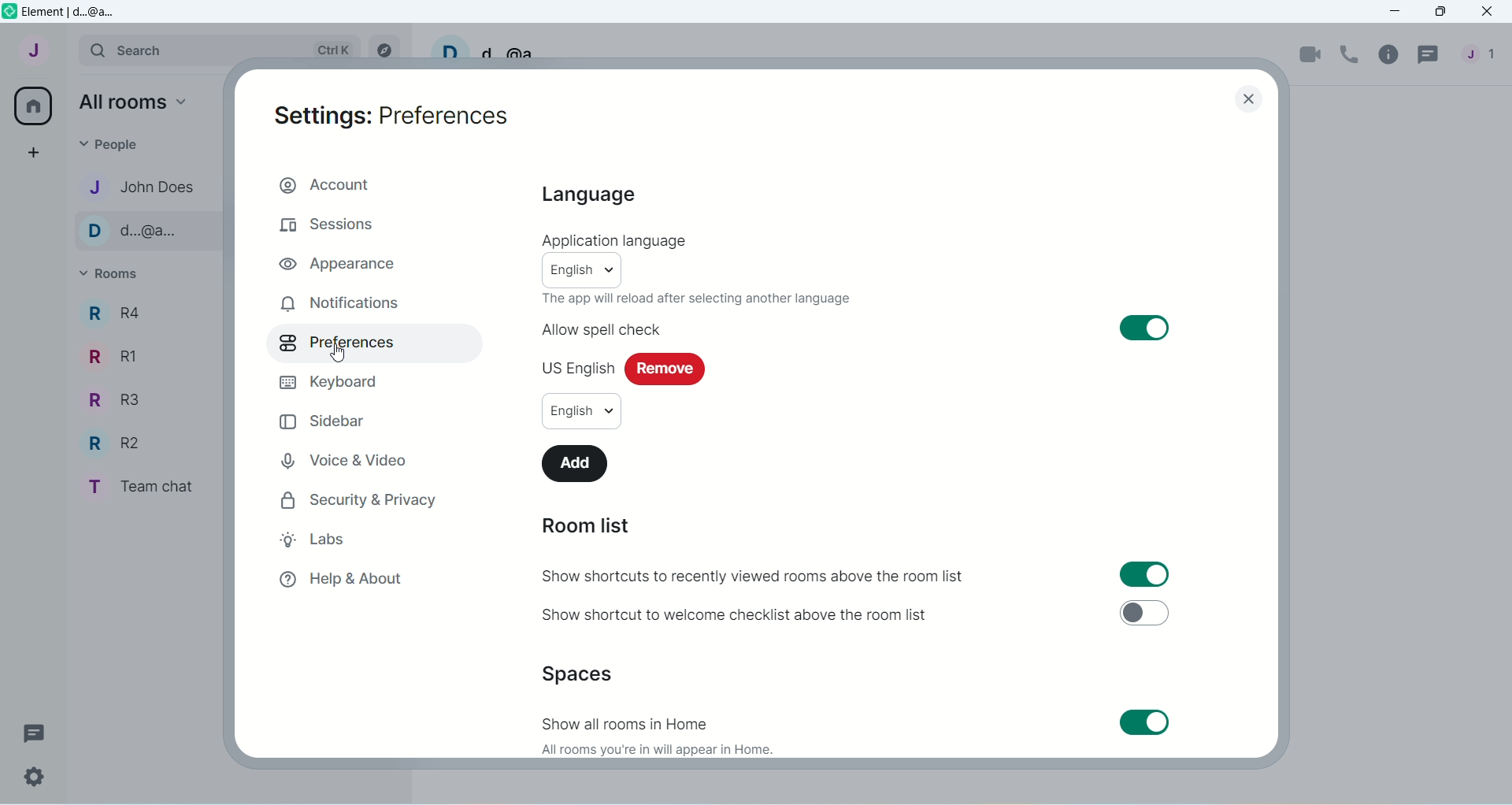  Describe the element at coordinates (117, 143) in the screenshot. I see `People` at that location.